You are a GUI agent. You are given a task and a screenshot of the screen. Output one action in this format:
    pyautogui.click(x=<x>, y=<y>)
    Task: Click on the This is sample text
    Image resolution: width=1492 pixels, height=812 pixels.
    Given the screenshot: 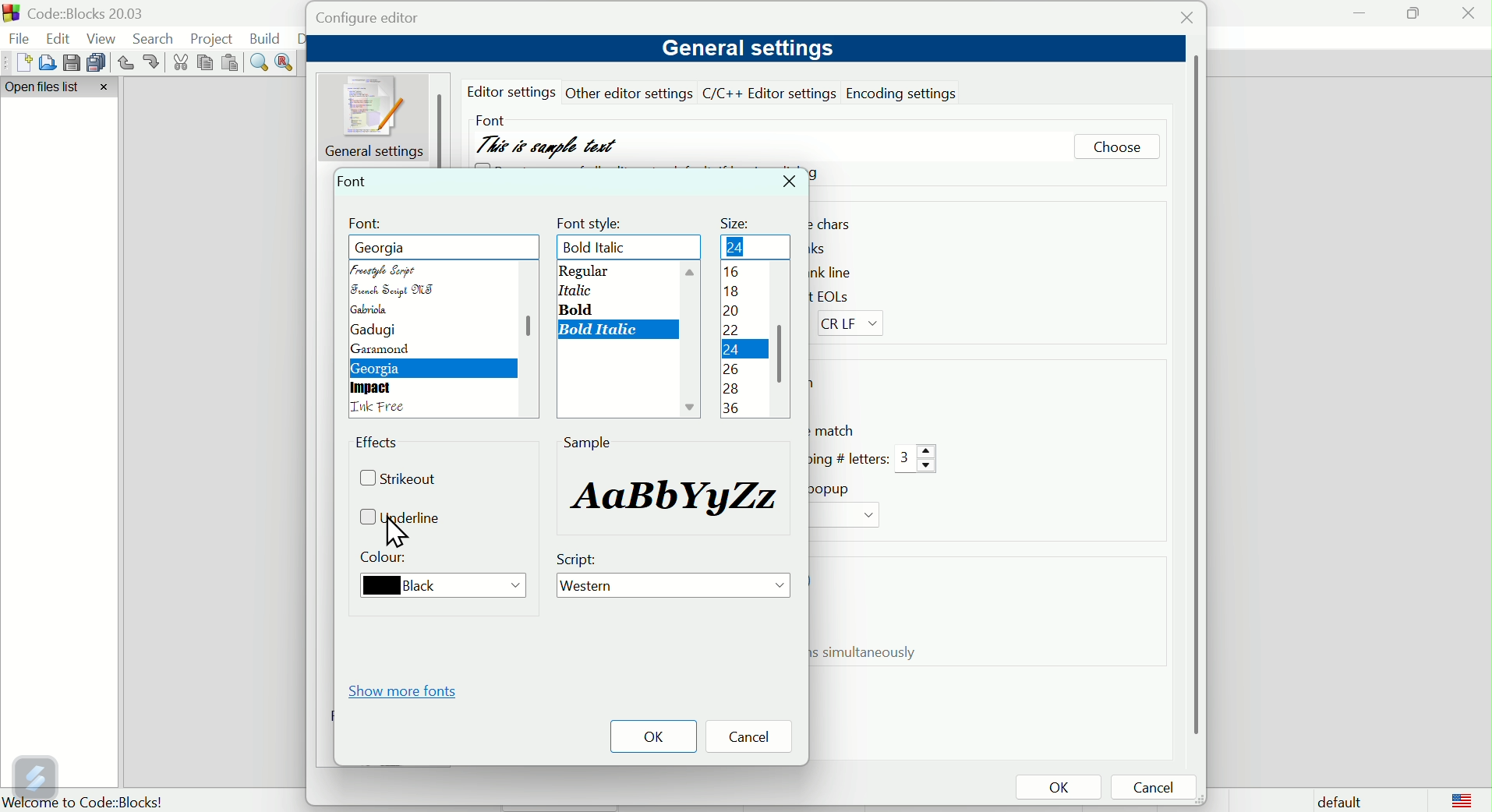 What is the action you would take?
    pyautogui.click(x=550, y=141)
    